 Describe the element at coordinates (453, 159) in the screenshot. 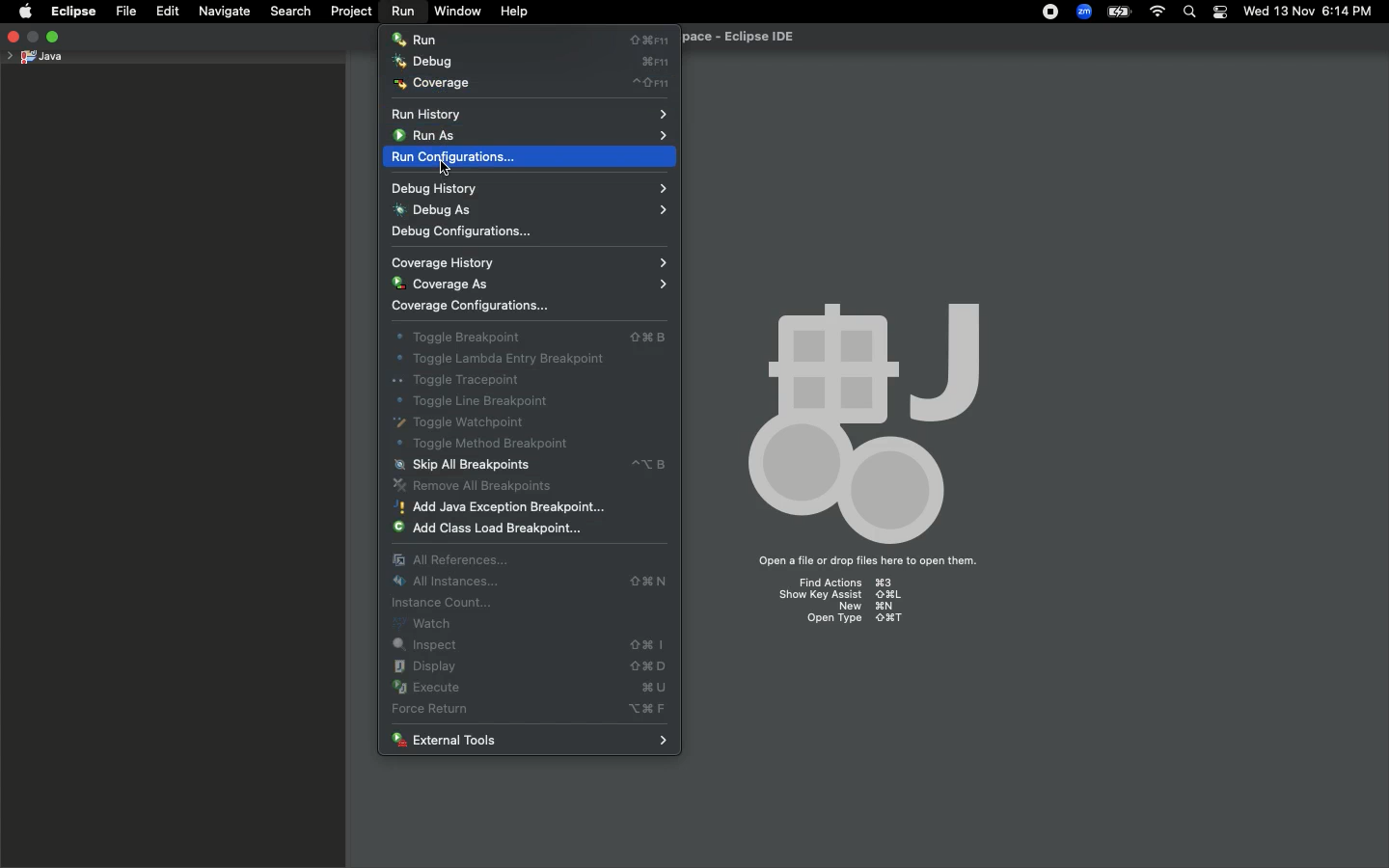

I see `Run configurations` at that location.